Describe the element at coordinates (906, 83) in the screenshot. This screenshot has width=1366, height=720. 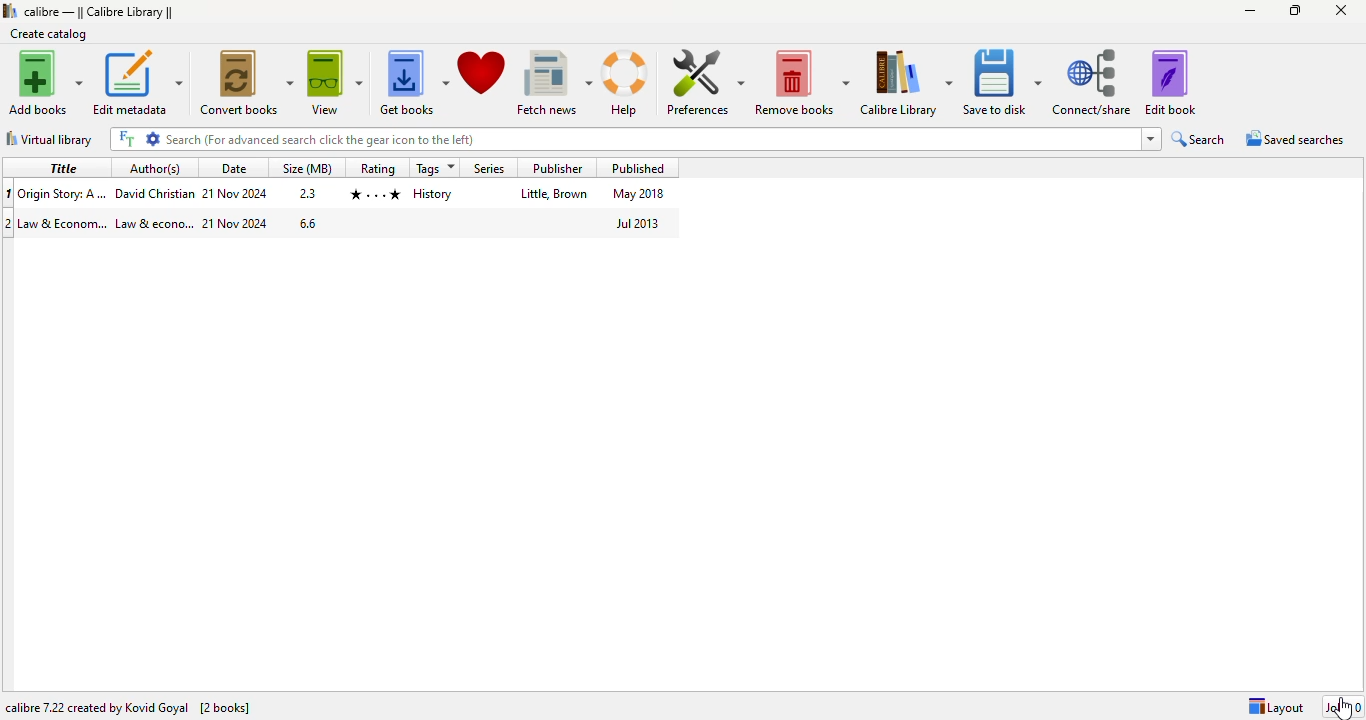
I see `calibre library` at that location.